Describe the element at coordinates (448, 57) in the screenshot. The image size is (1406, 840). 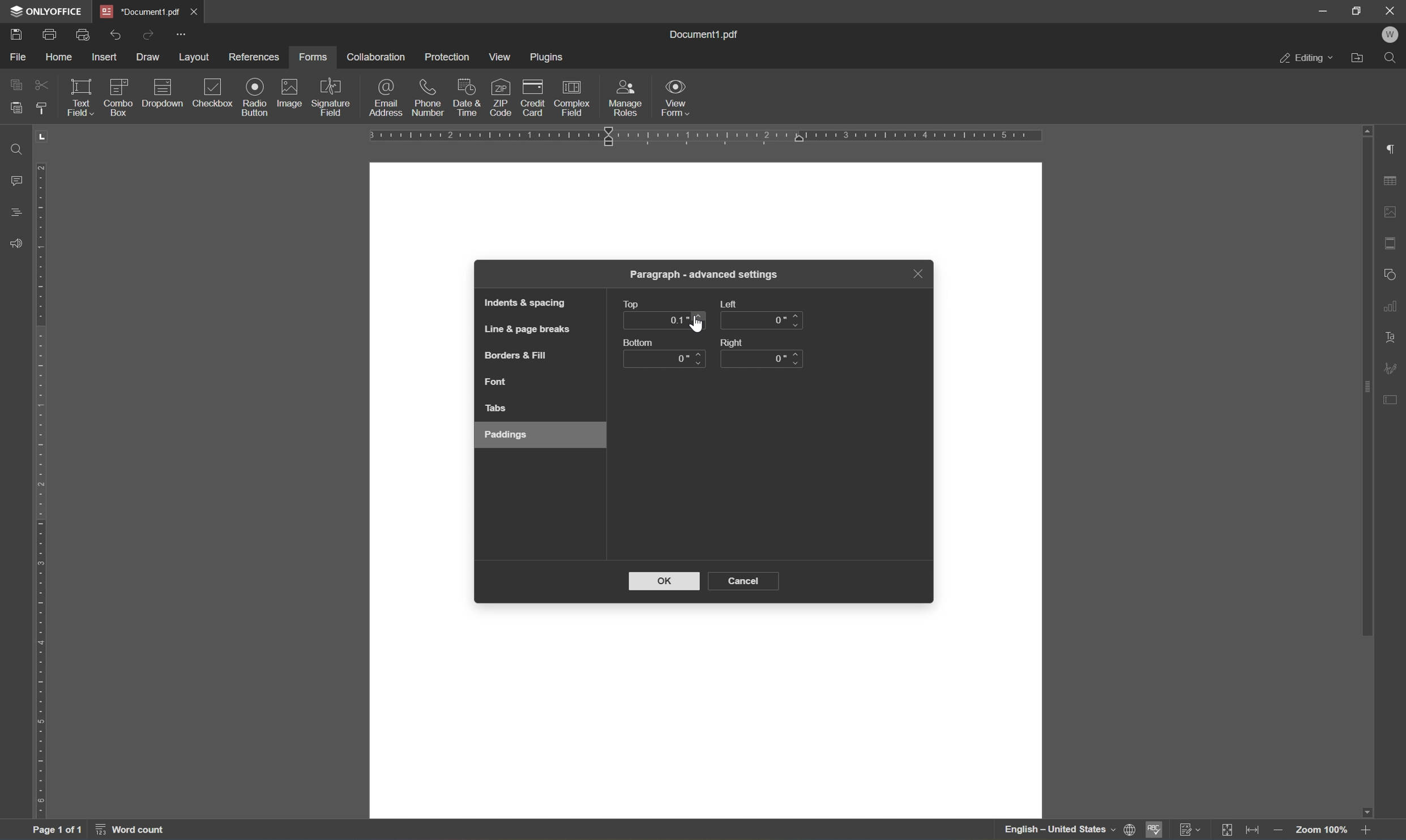
I see `protection` at that location.